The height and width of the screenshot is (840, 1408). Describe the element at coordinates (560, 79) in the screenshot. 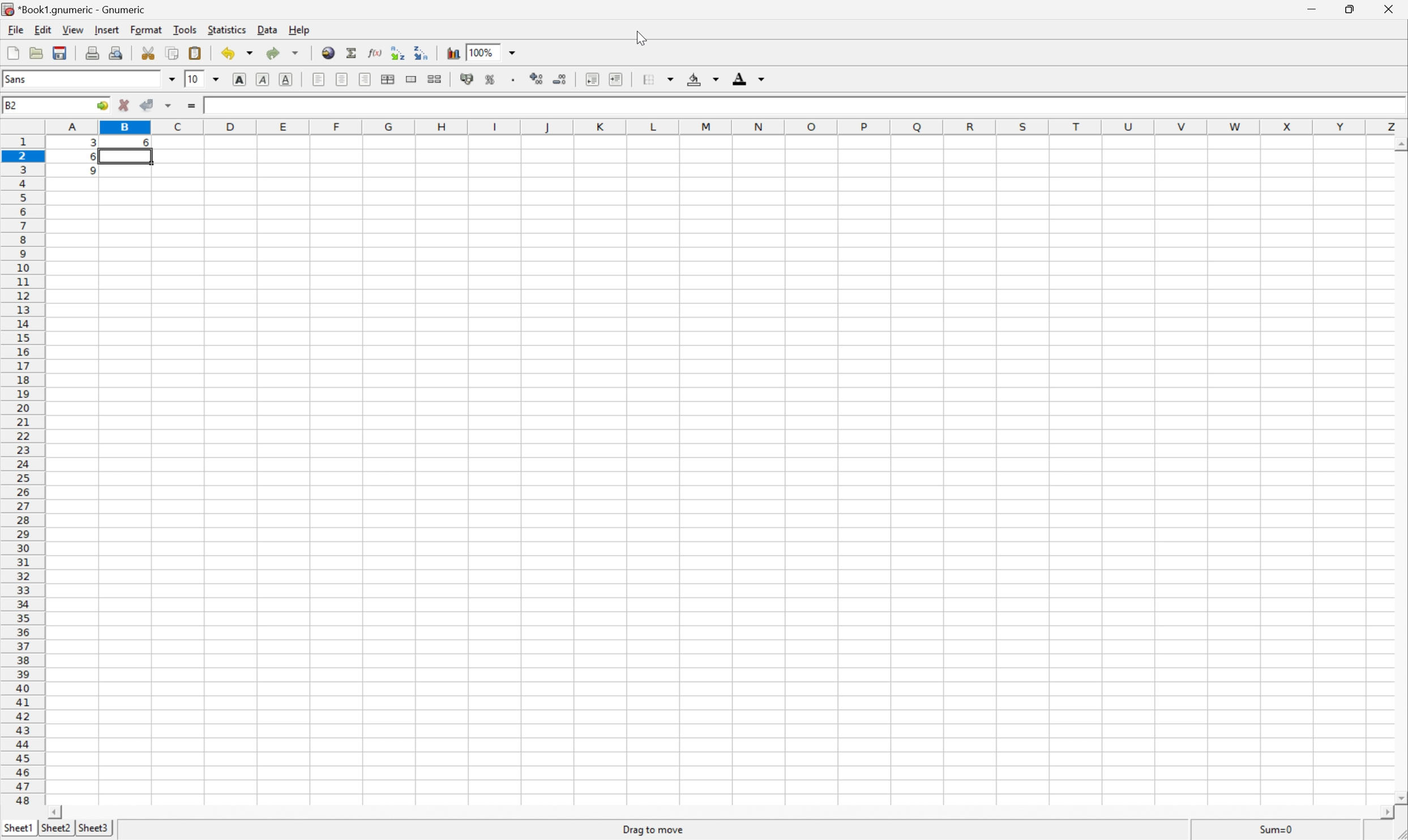

I see `Decrease the number of decimals displayed` at that location.